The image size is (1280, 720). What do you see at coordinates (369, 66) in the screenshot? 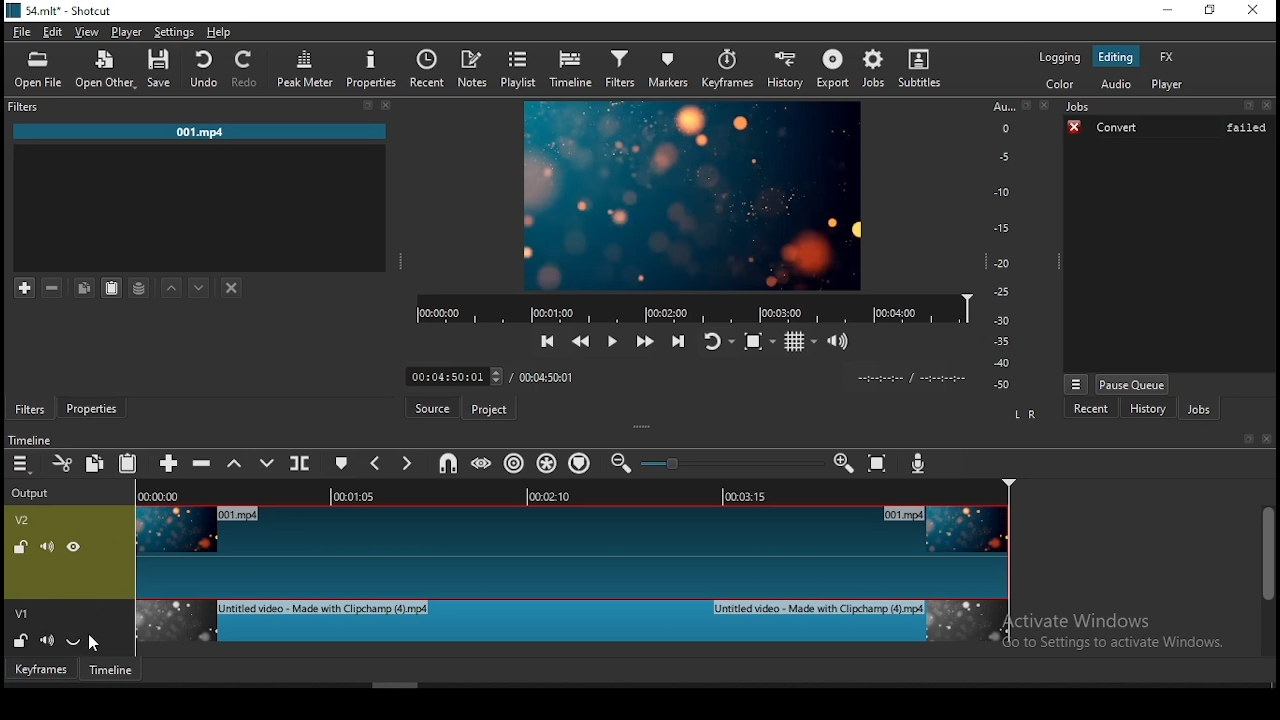
I see `properties` at bounding box center [369, 66].